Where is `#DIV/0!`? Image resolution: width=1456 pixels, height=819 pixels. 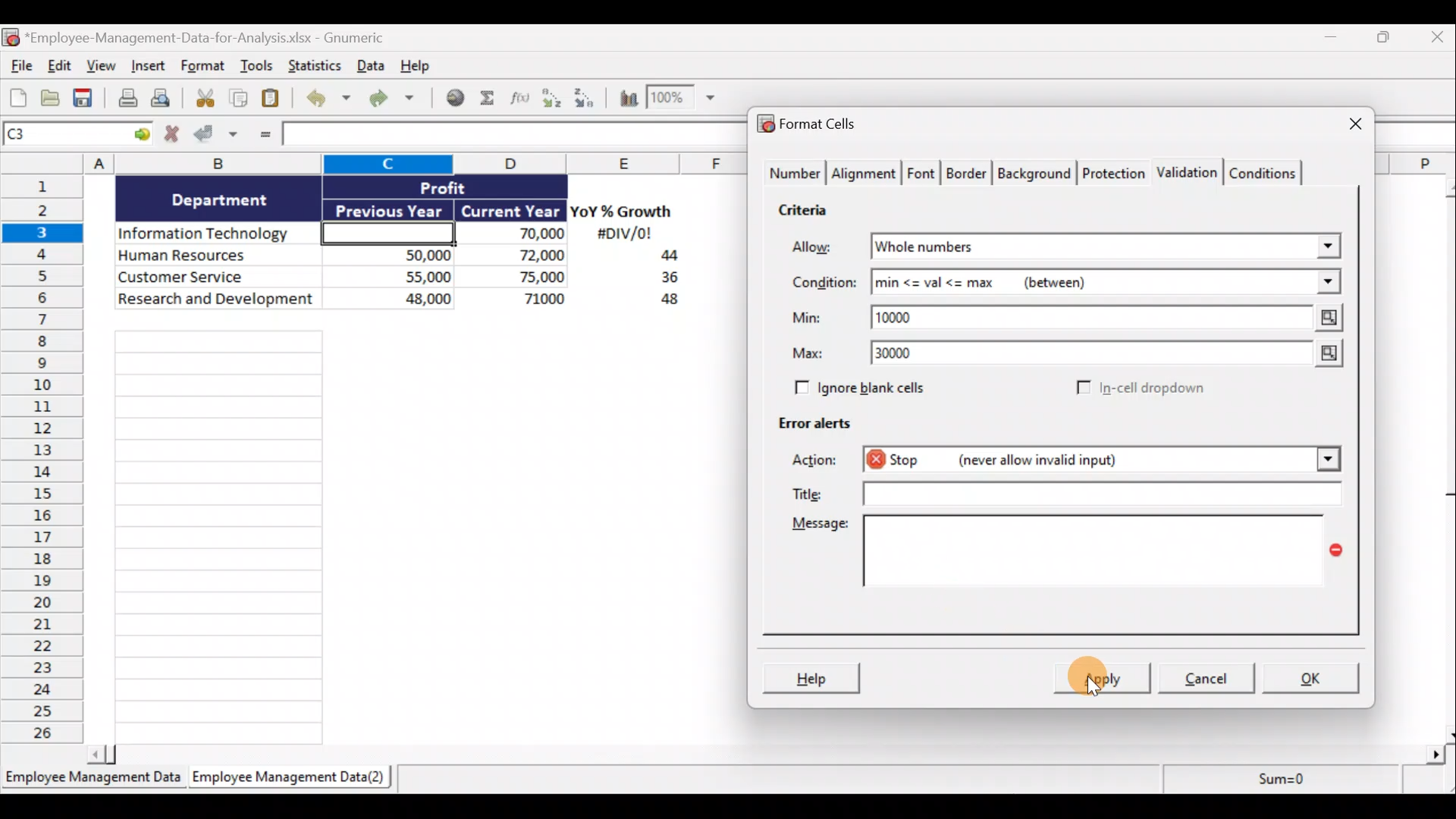 #DIV/0! is located at coordinates (623, 234).